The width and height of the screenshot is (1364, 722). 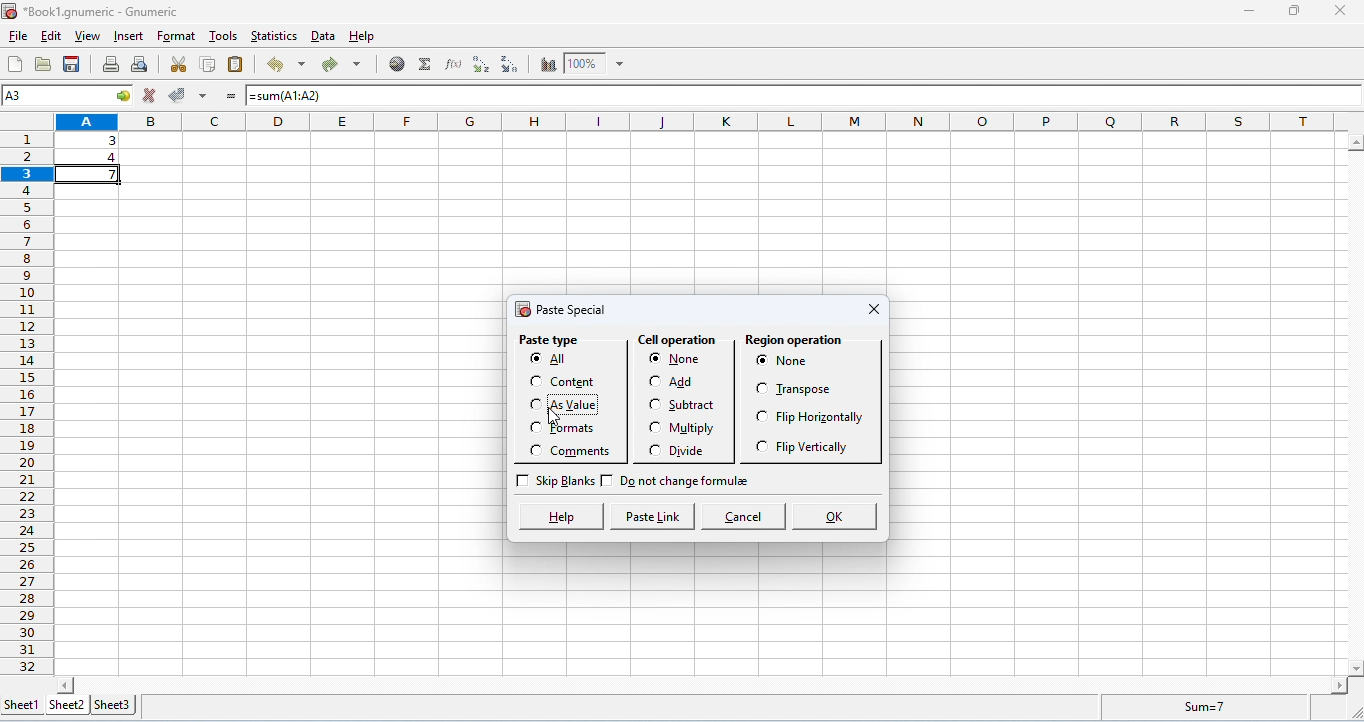 What do you see at coordinates (19, 36) in the screenshot?
I see `file` at bounding box center [19, 36].